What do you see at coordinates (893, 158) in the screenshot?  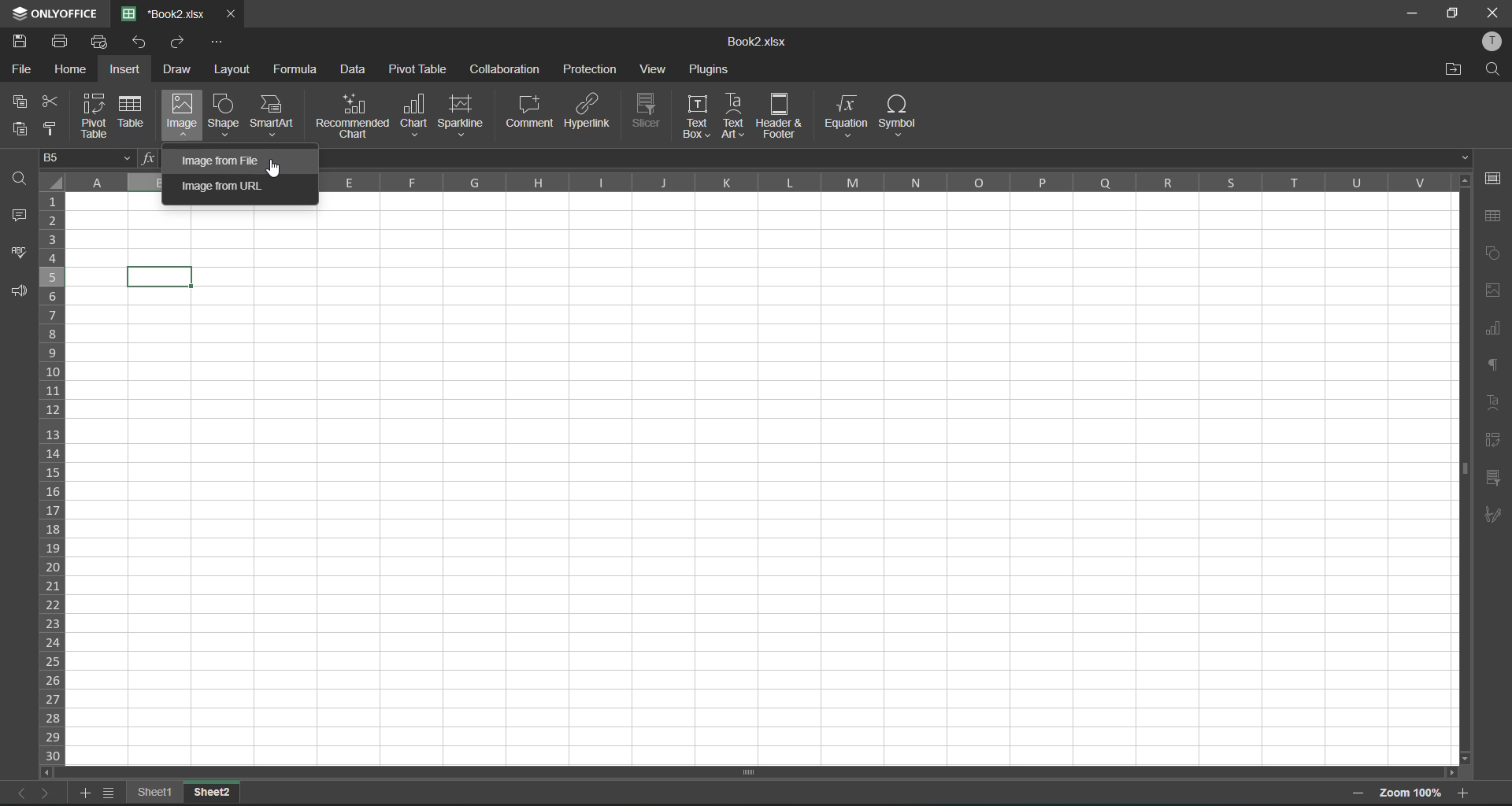 I see `formula bar` at bounding box center [893, 158].